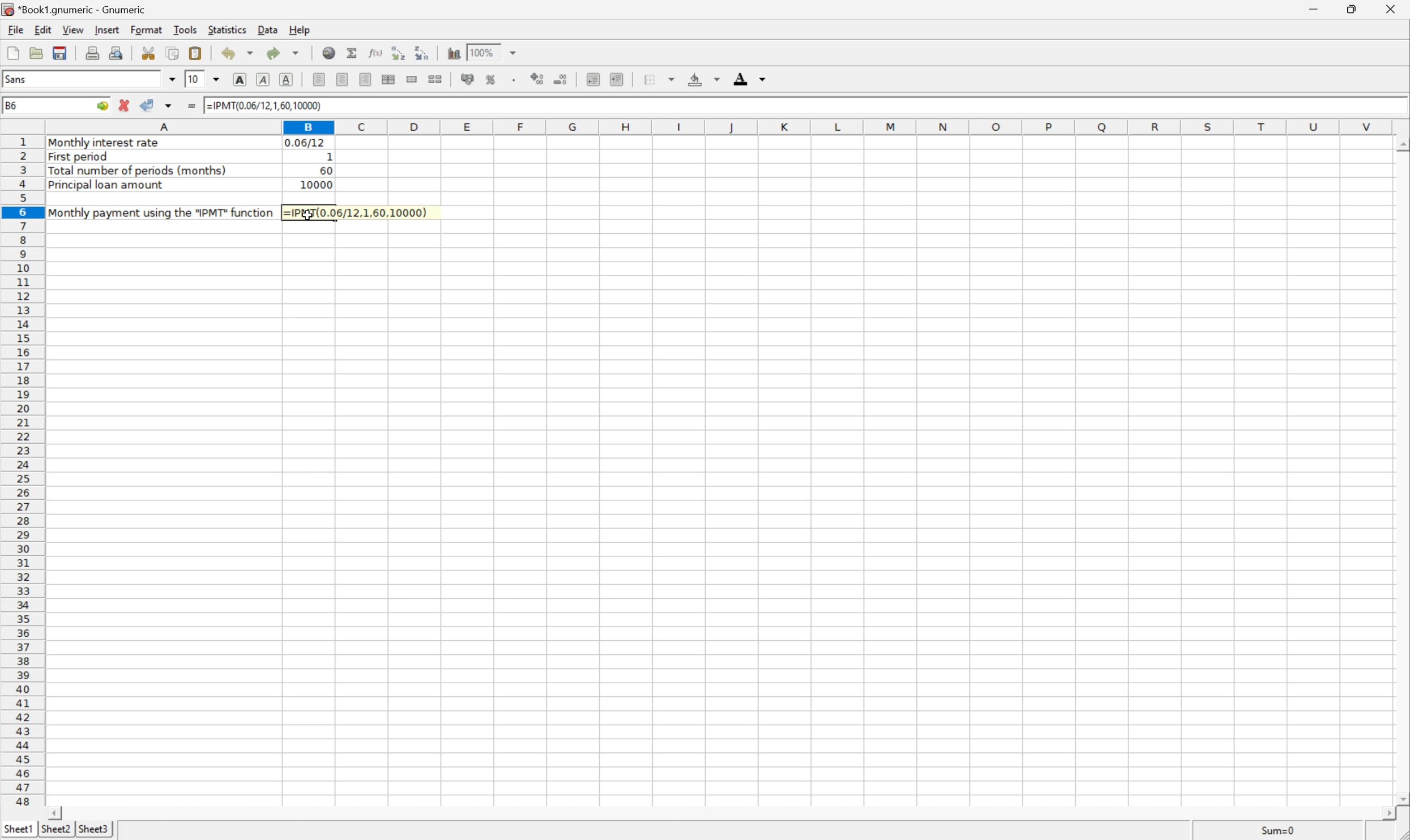 The image size is (1410, 840). What do you see at coordinates (513, 79) in the screenshot?
I see `Set the format of the selected cells to include a thousands separator` at bounding box center [513, 79].